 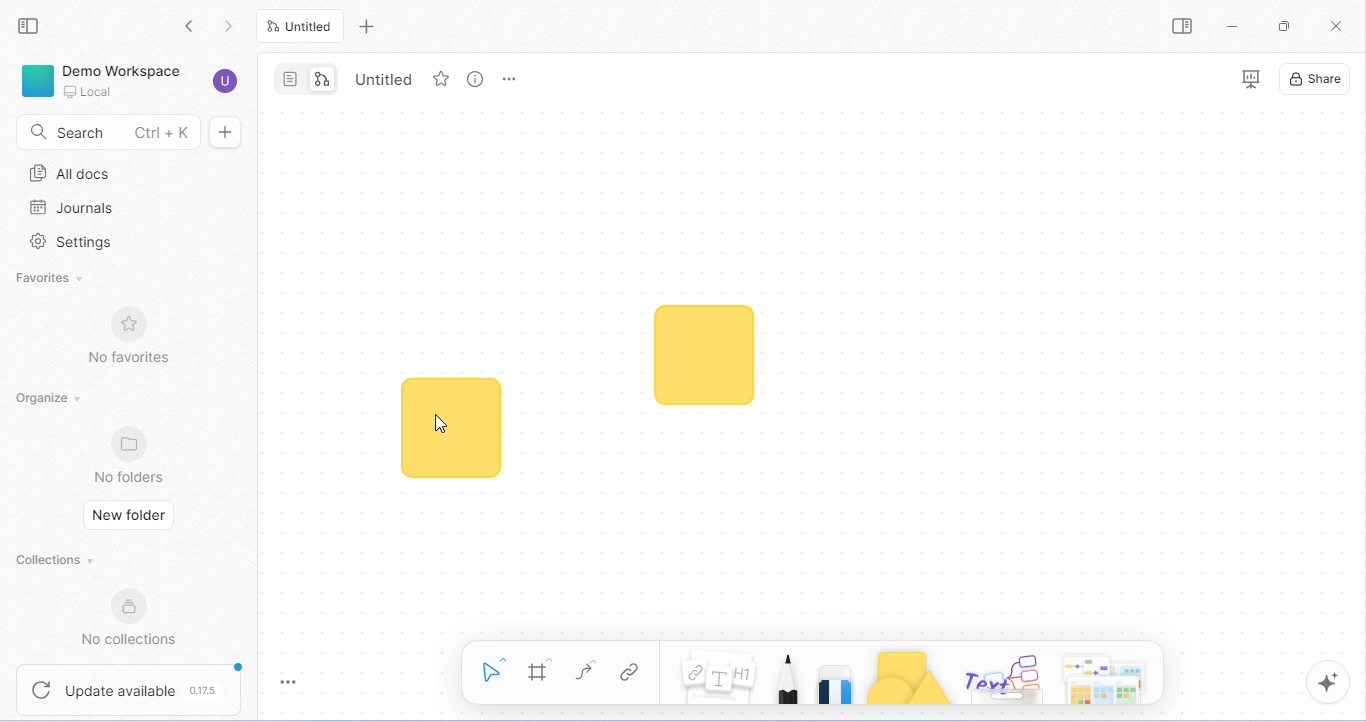 What do you see at coordinates (302, 26) in the screenshot?
I see `Untitled` at bounding box center [302, 26].